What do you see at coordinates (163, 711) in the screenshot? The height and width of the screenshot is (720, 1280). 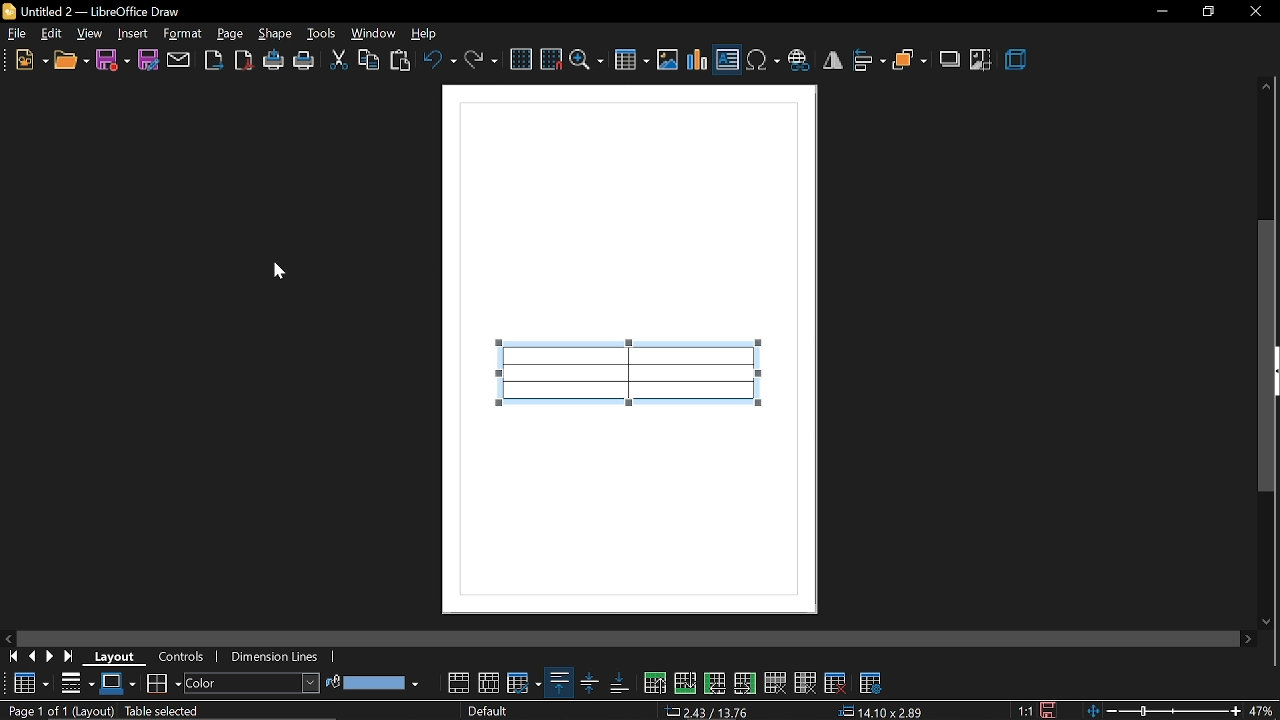 I see `Table selected` at bounding box center [163, 711].